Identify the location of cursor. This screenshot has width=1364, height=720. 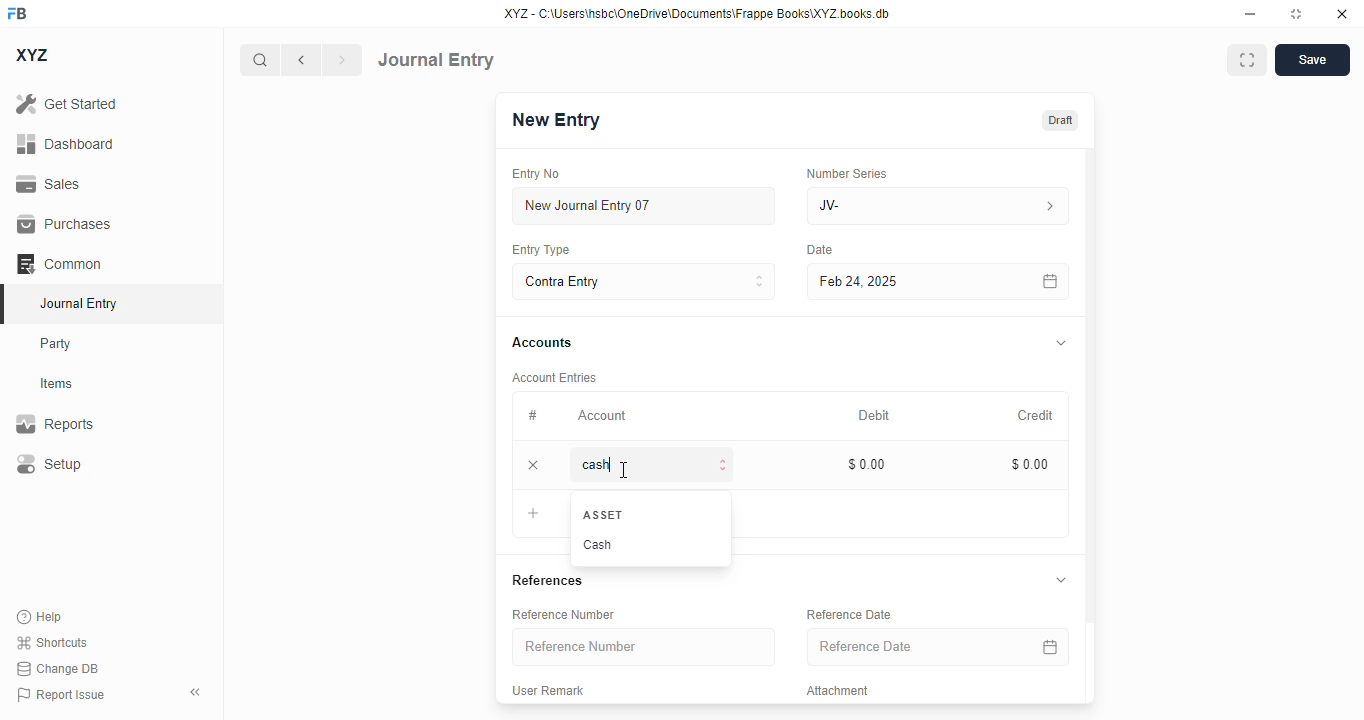
(625, 470).